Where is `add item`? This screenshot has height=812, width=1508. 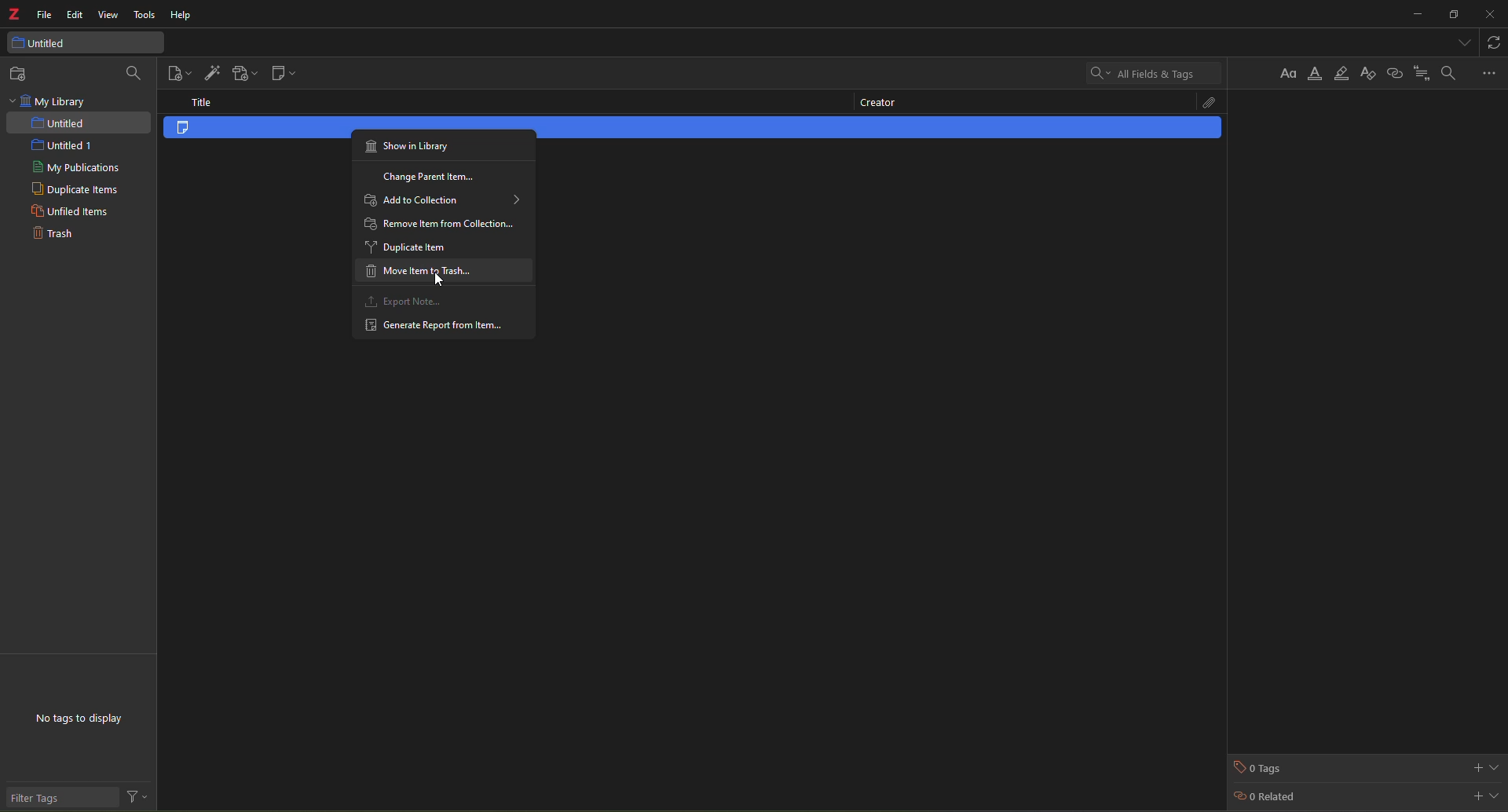
add item is located at coordinates (212, 72).